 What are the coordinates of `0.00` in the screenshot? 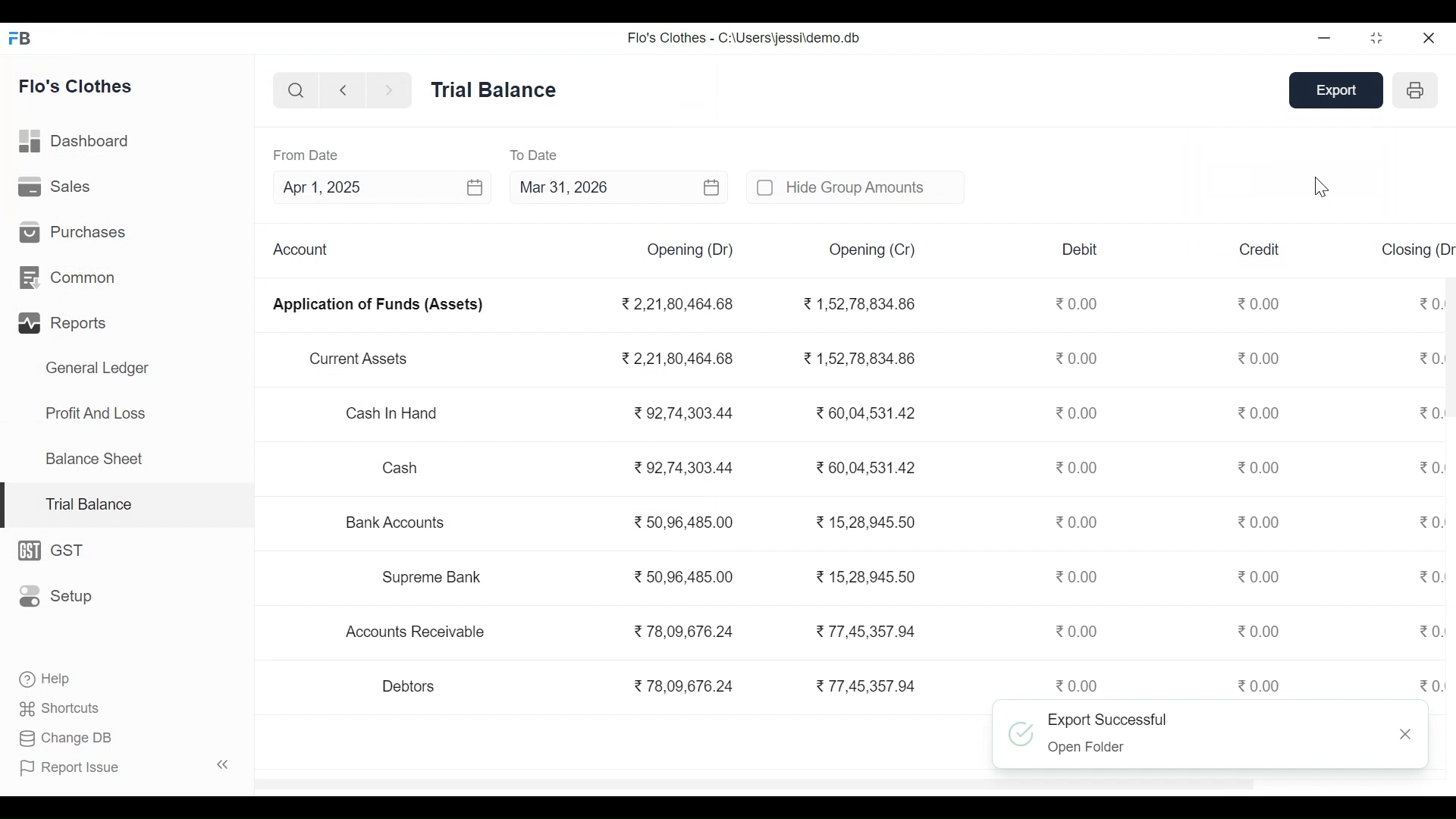 It's located at (1081, 359).